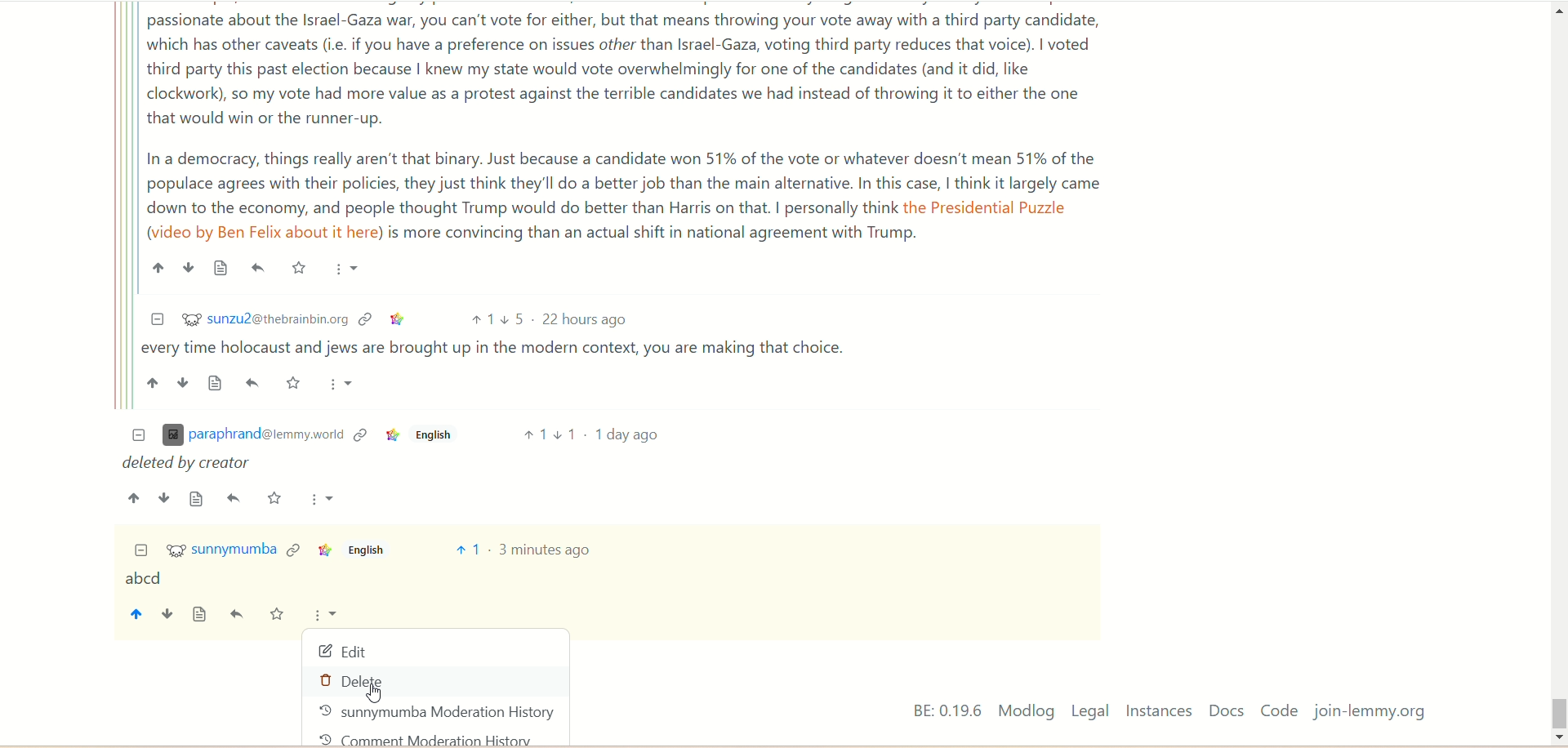 This screenshot has height=748, width=1568. I want to click on English, so click(431, 438).